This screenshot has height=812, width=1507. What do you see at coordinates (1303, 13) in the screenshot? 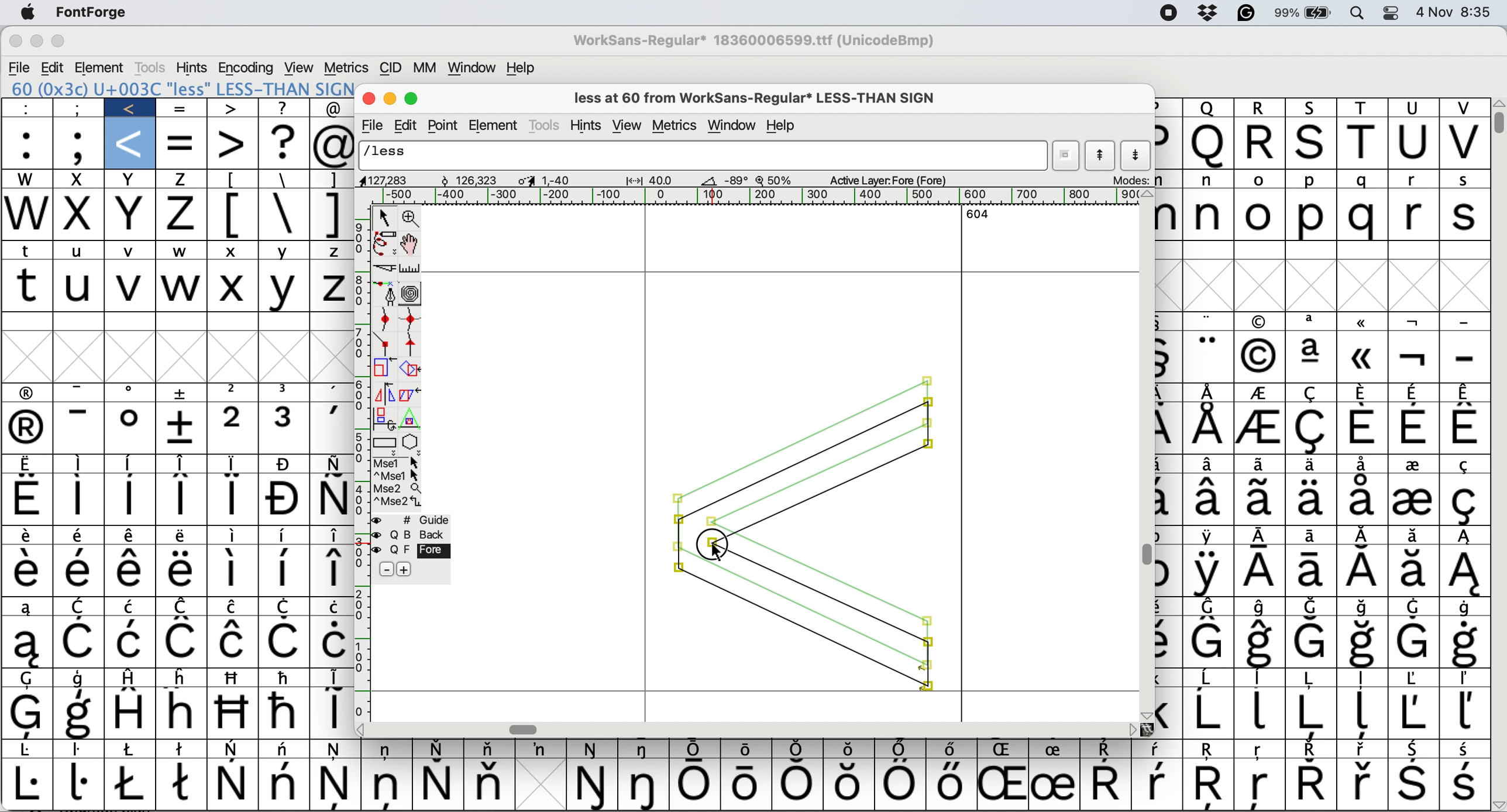
I see `battery` at bounding box center [1303, 13].